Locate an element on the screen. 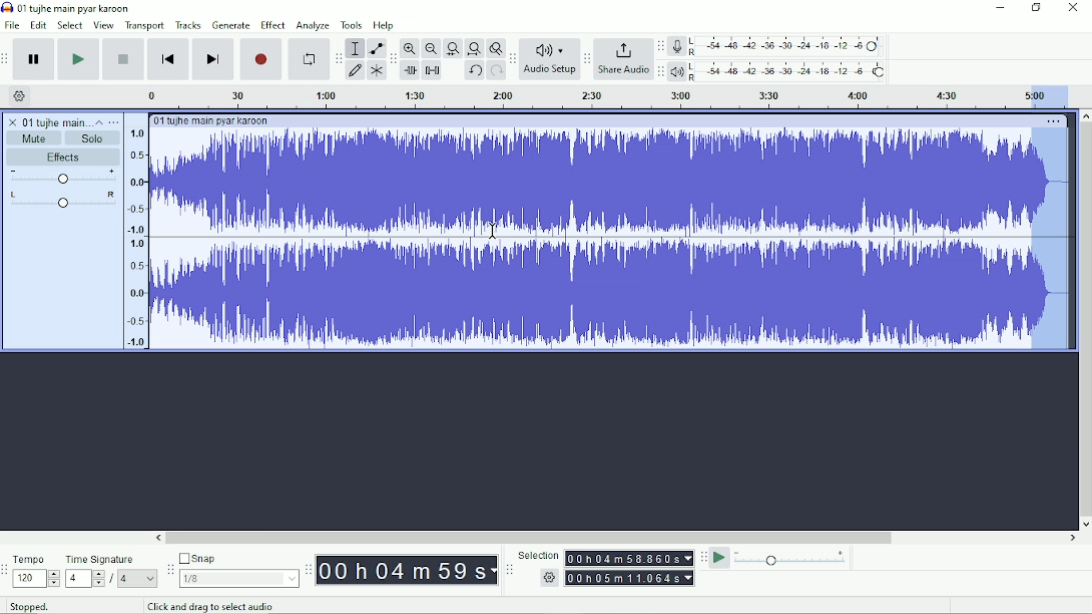  Audio Setup is located at coordinates (550, 59).